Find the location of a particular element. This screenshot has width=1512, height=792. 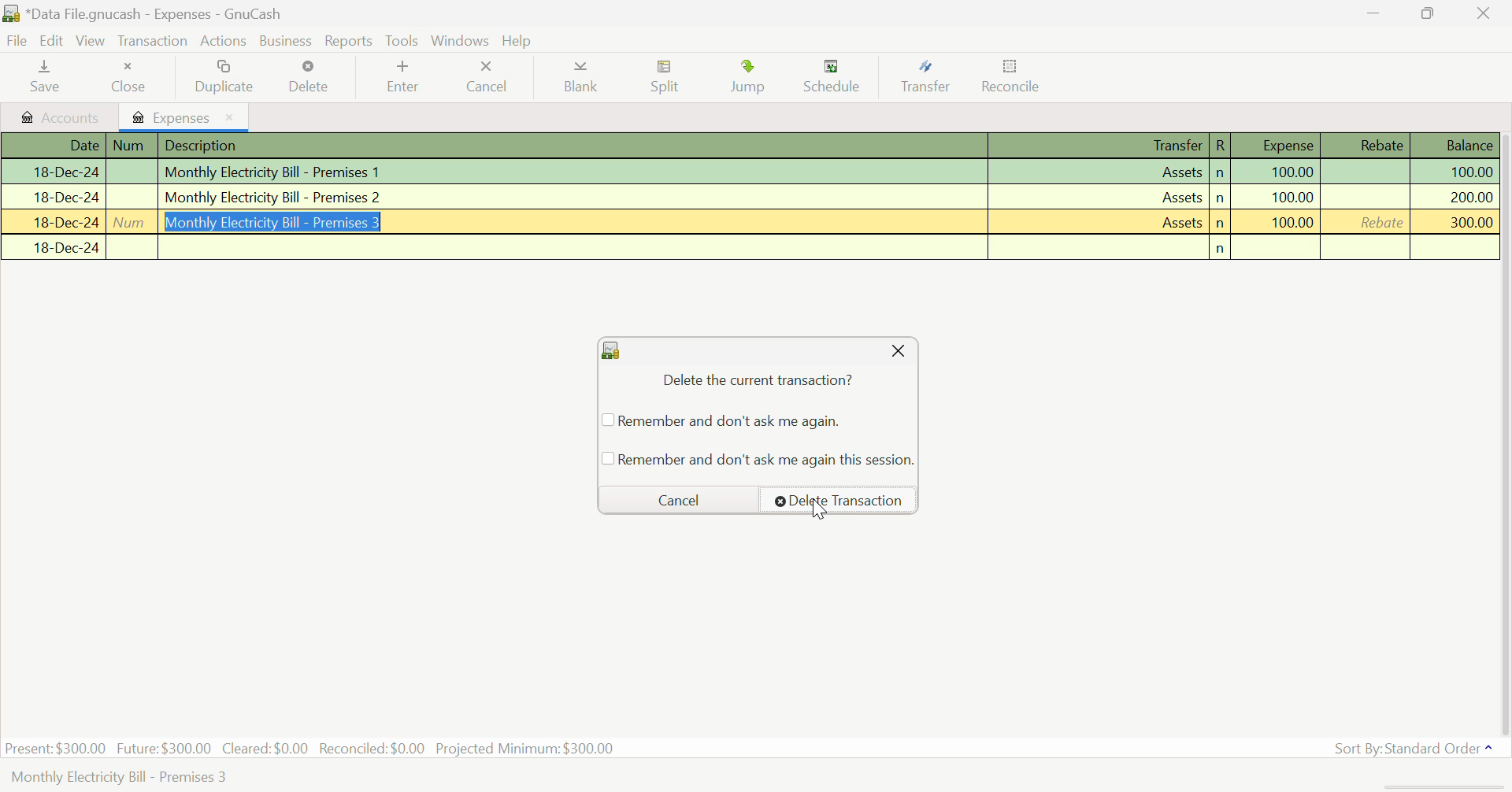

Split is located at coordinates (665, 79).